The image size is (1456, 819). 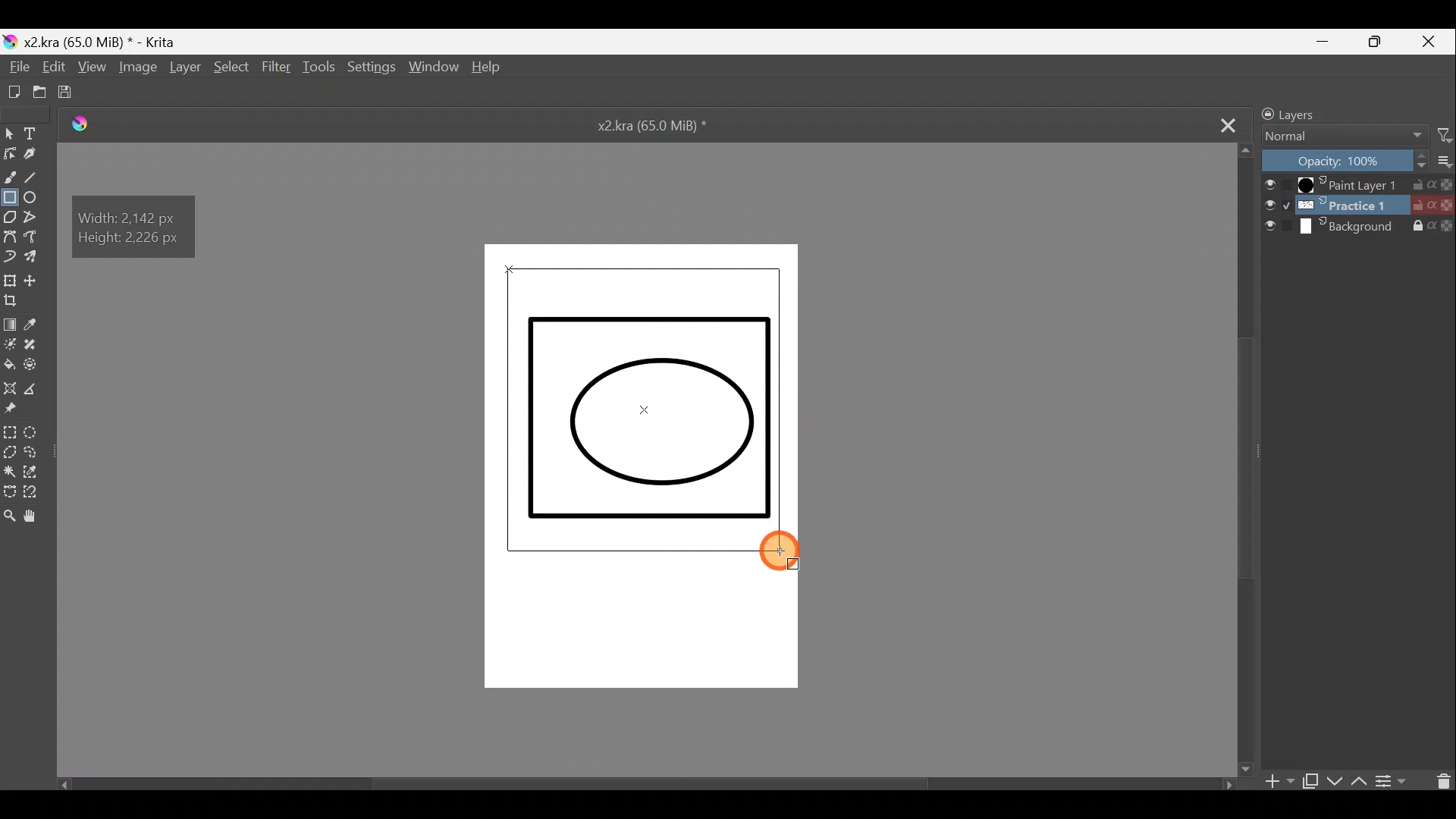 I want to click on Height: 2,226 px, so click(x=133, y=242).